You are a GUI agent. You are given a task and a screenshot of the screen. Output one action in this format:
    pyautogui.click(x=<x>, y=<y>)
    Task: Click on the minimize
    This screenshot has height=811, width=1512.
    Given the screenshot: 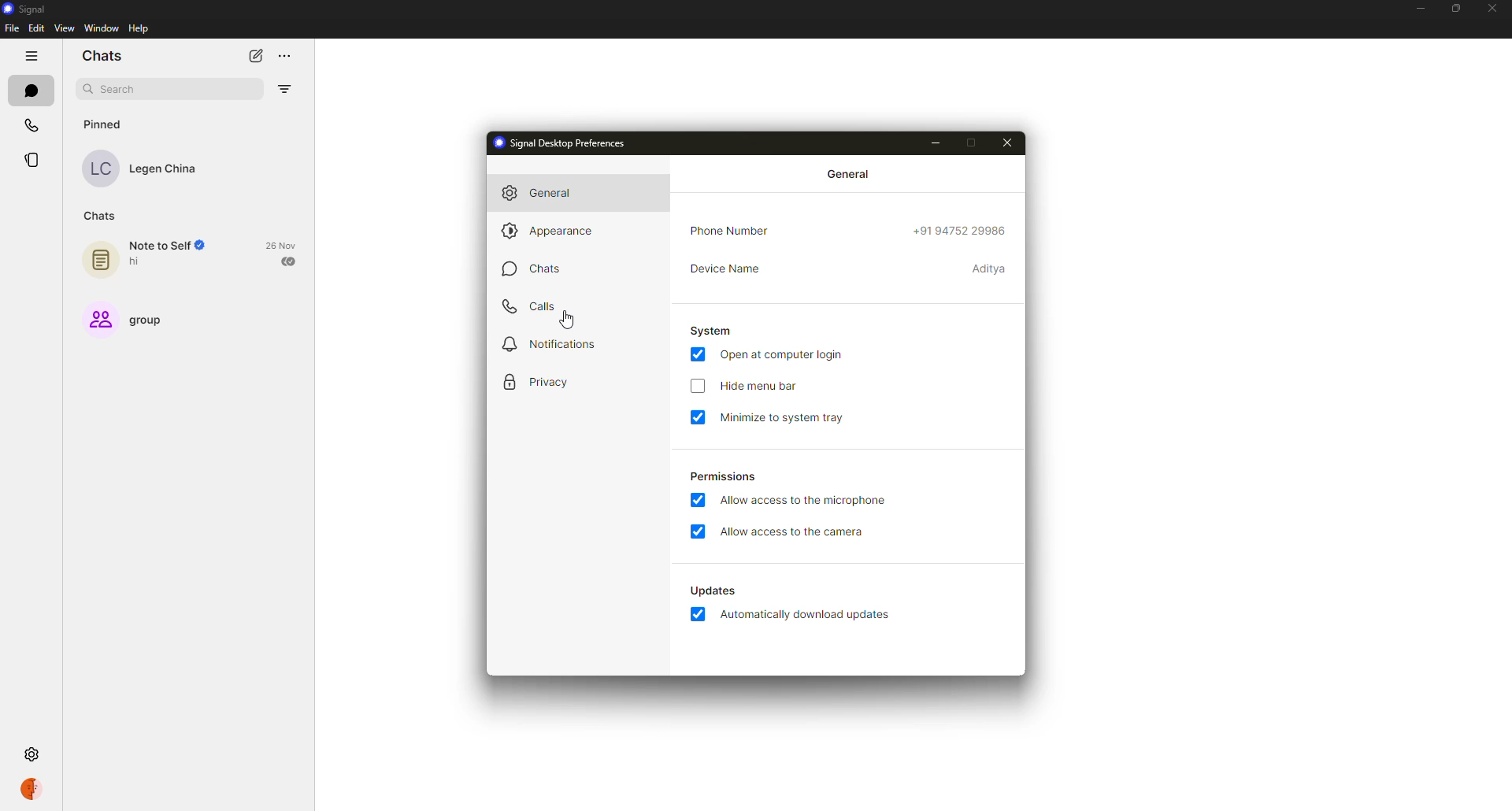 What is the action you would take?
    pyautogui.click(x=936, y=145)
    